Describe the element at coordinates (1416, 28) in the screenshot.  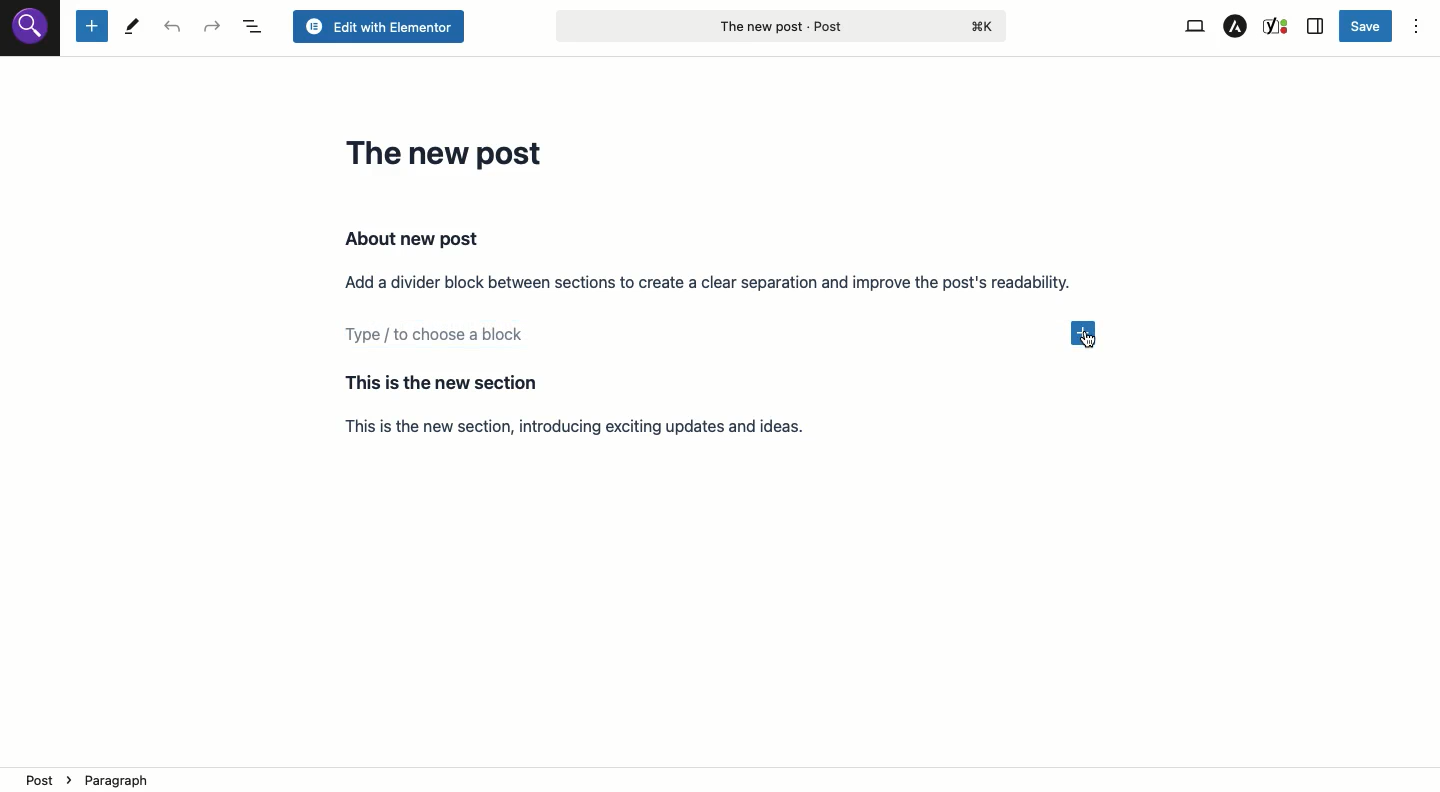
I see `Options` at that location.